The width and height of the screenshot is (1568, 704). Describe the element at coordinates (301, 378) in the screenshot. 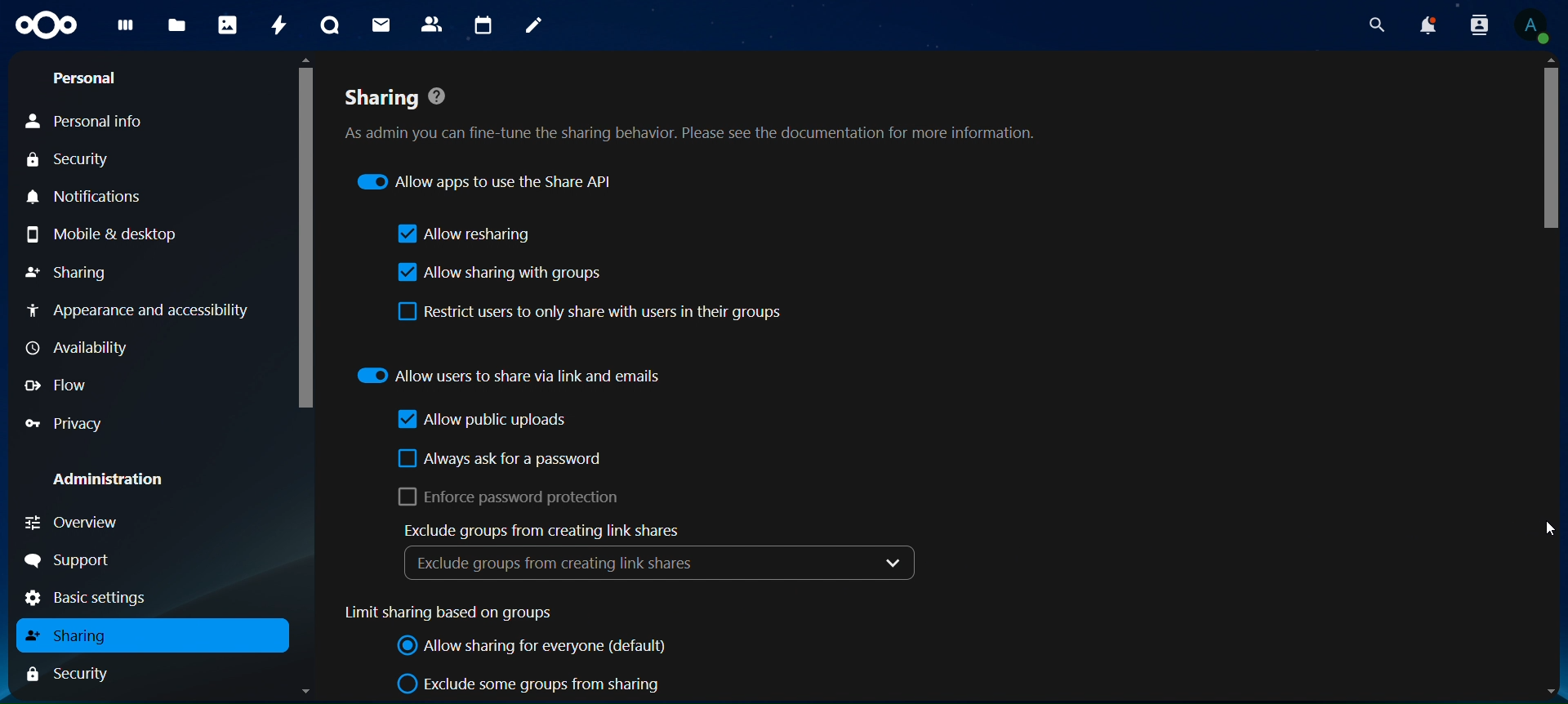

I see `Scrollbar` at that location.